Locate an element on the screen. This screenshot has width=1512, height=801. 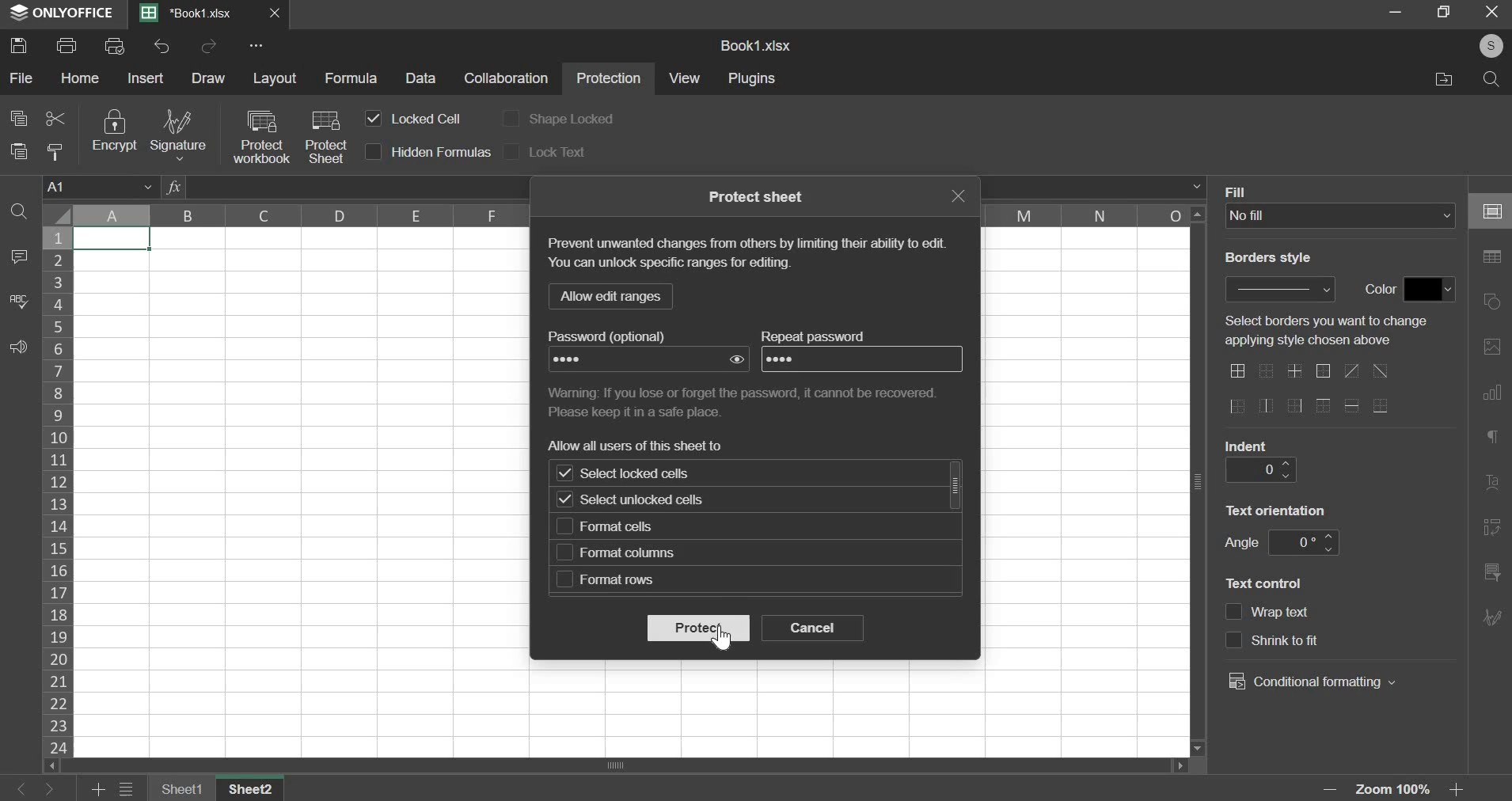
find is located at coordinates (20, 211).